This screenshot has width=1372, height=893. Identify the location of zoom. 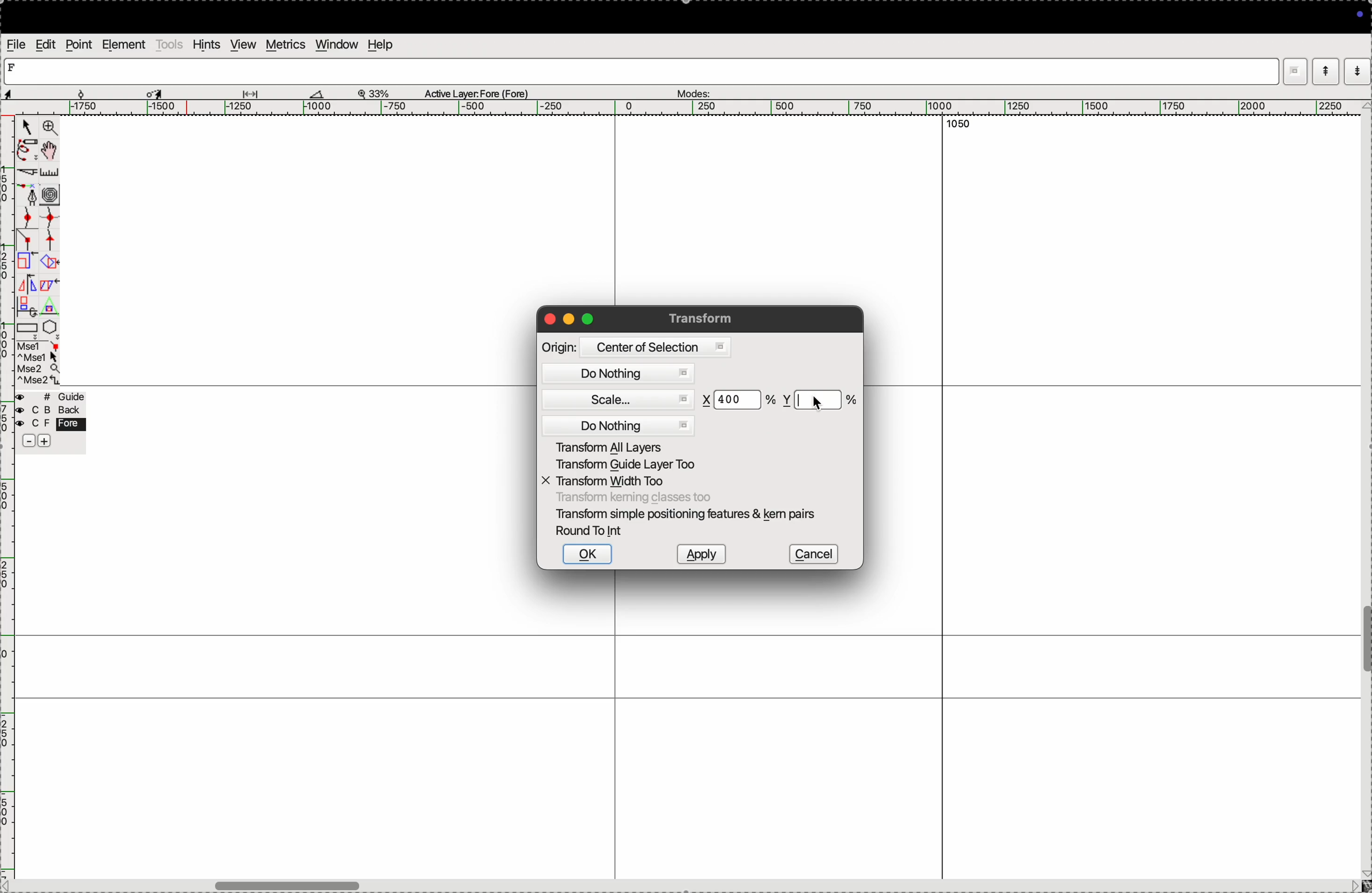
(50, 129).